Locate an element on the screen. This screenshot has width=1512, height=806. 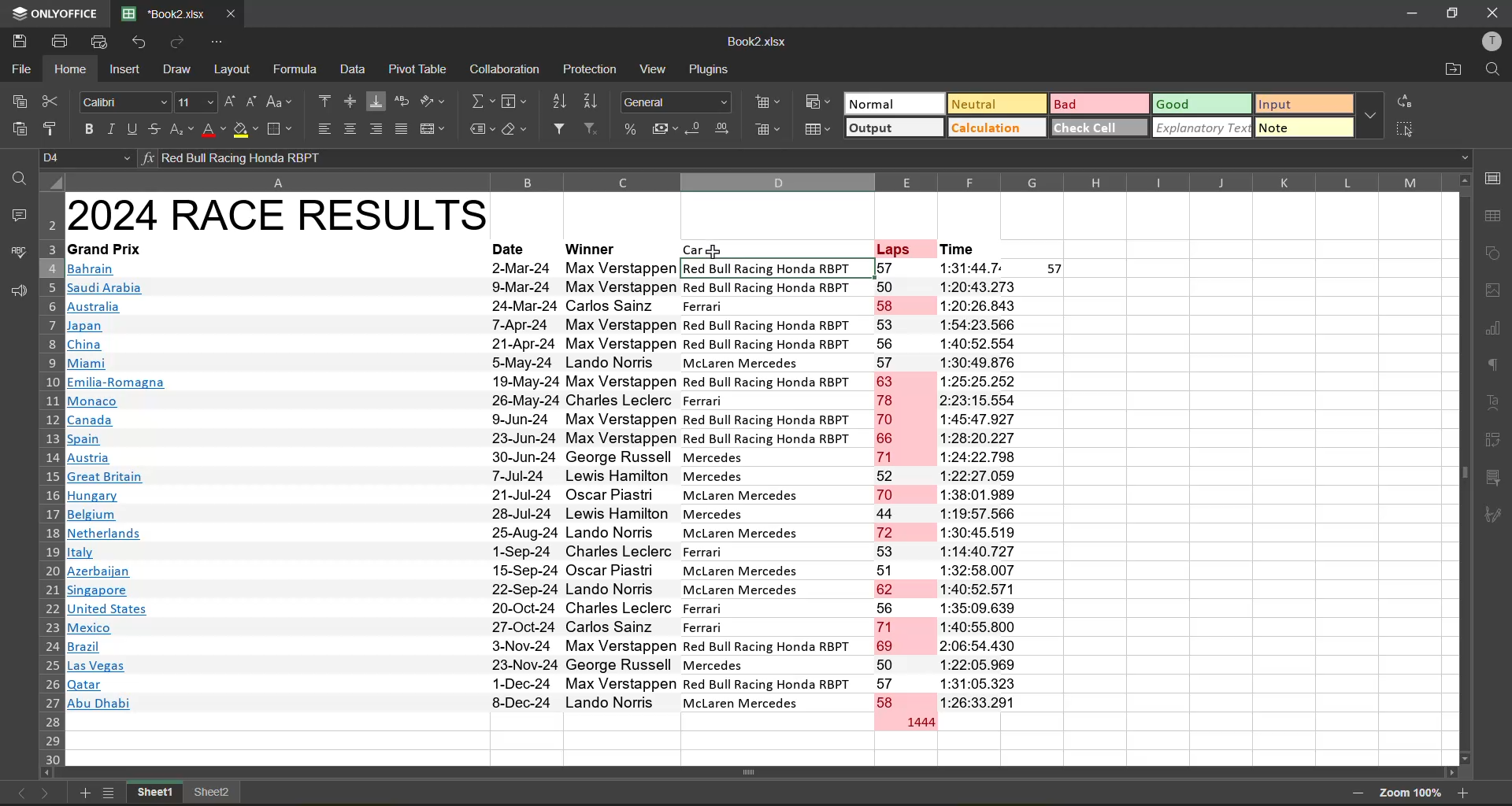
call settings is located at coordinates (1496, 179).